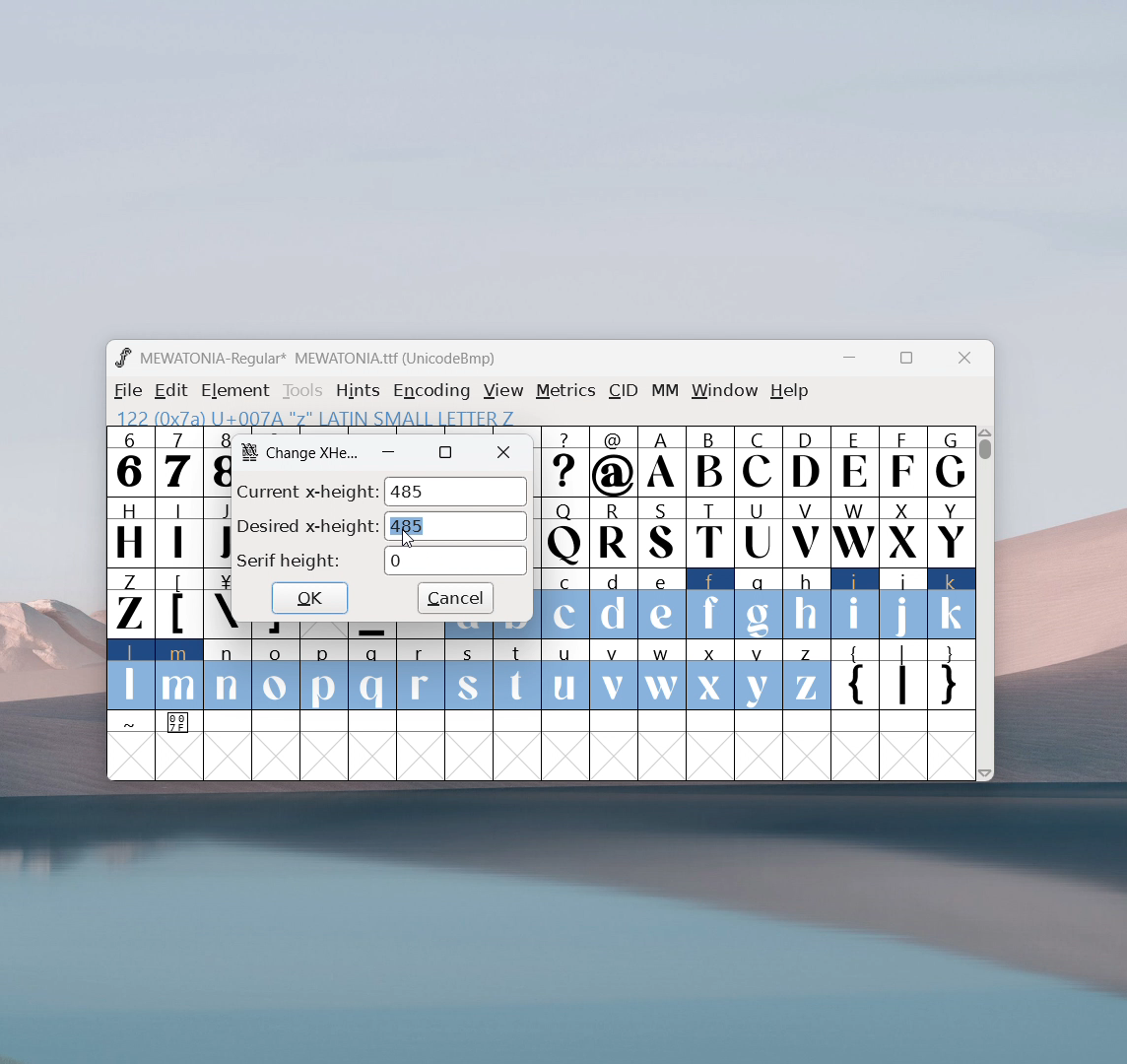 Image resolution: width=1127 pixels, height=1064 pixels. Describe the element at coordinates (953, 604) in the screenshot. I see `k` at that location.